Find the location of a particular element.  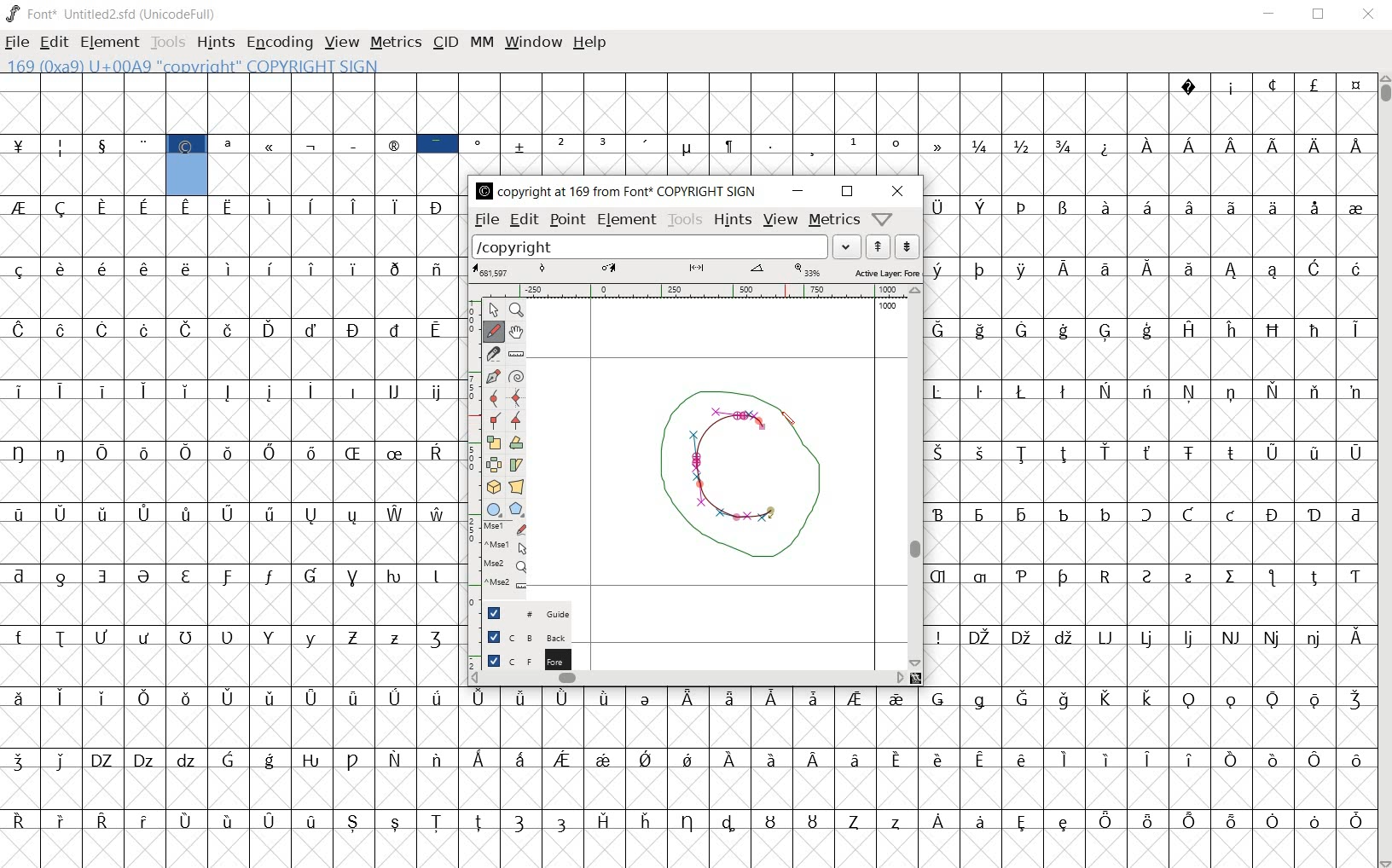

mAGNIFY is located at coordinates (516, 310).